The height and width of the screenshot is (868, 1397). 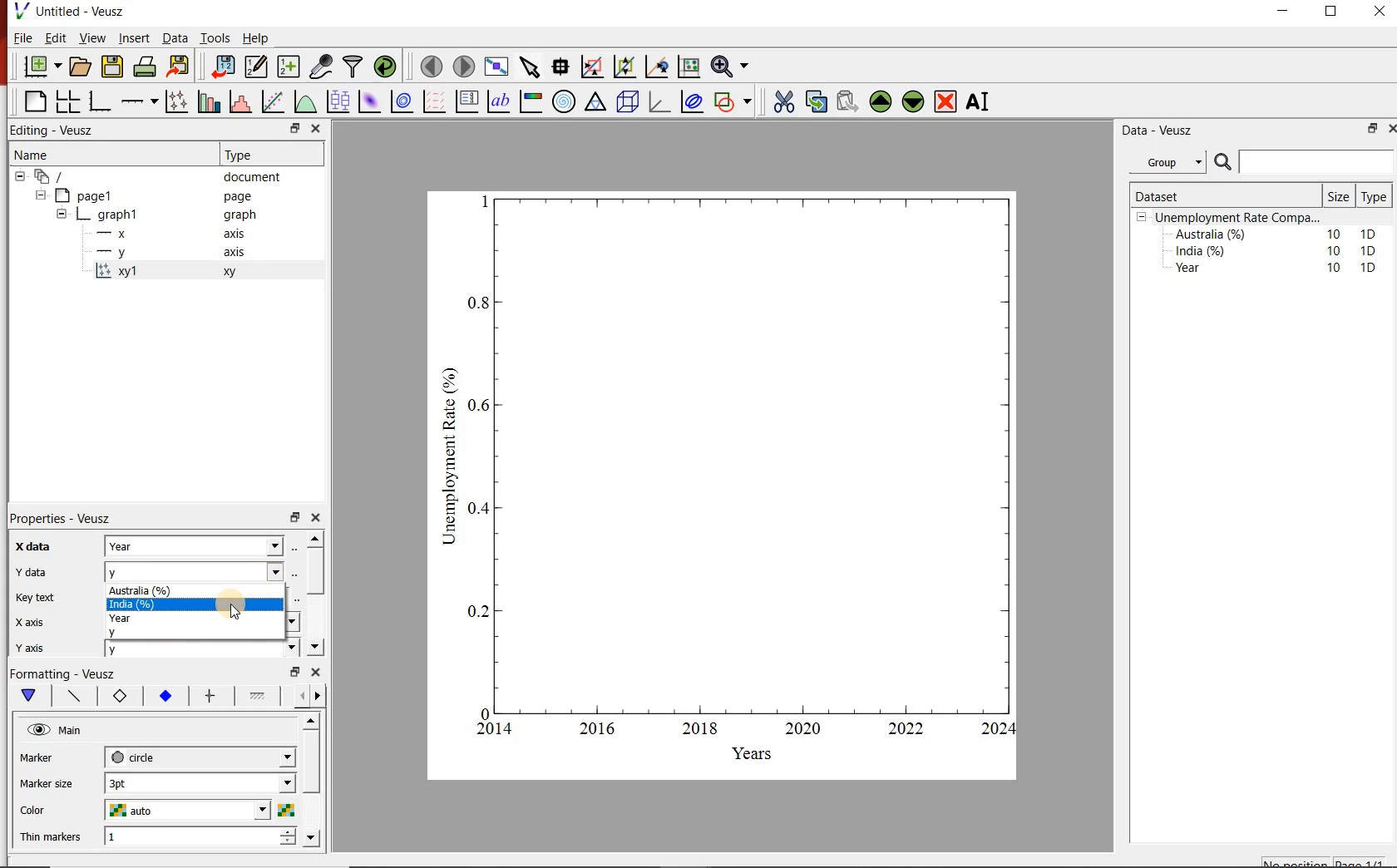 What do you see at coordinates (1281, 269) in the screenshot?
I see `Year 10 1D` at bounding box center [1281, 269].